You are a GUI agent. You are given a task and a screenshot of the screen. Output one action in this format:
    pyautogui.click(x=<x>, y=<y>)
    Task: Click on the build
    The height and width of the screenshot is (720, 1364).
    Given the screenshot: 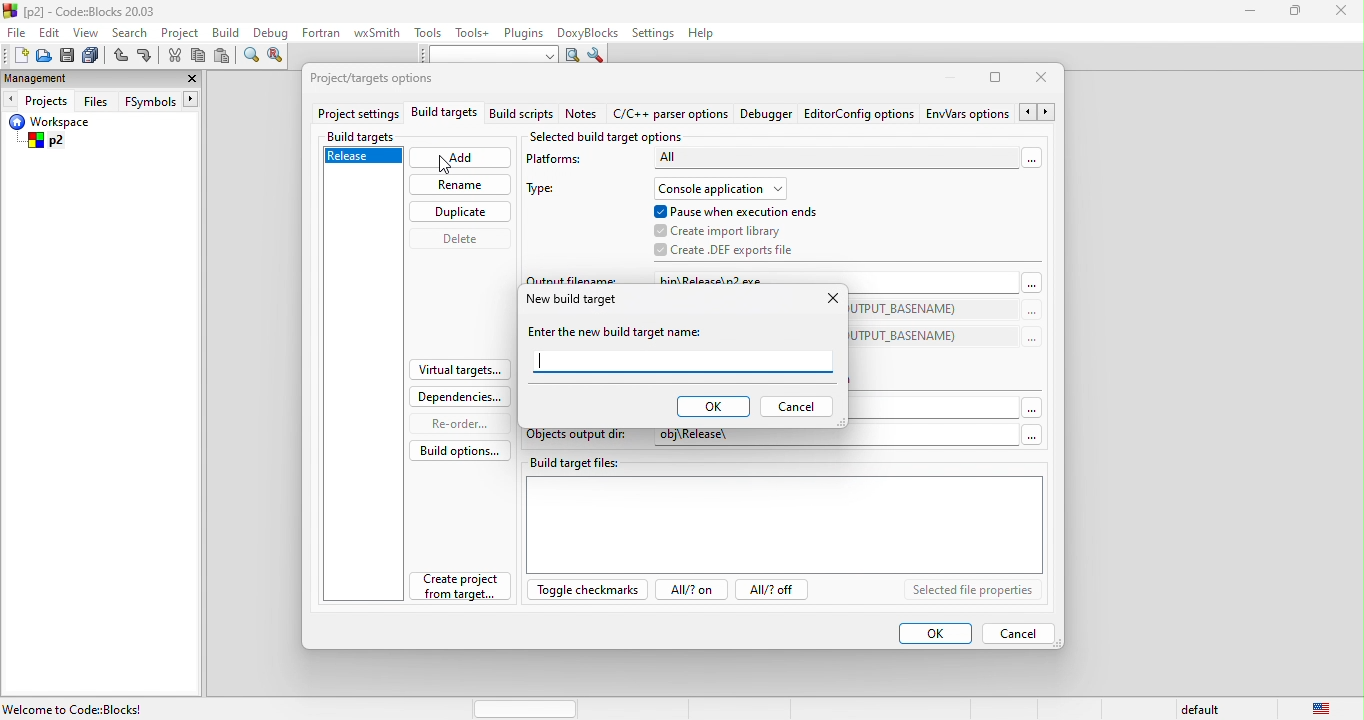 What is the action you would take?
    pyautogui.click(x=231, y=34)
    